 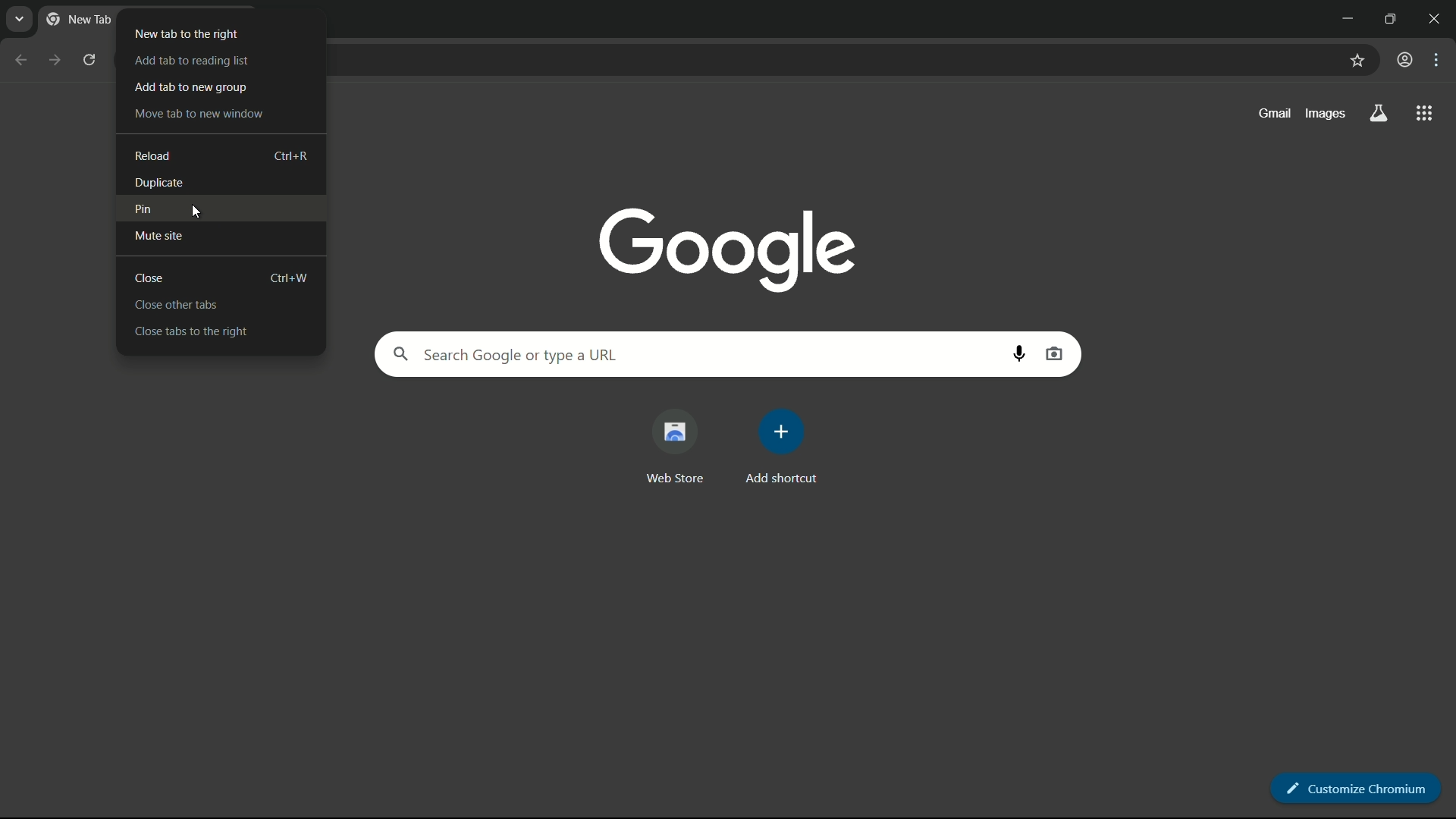 What do you see at coordinates (191, 89) in the screenshot?
I see `add tab to new group` at bounding box center [191, 89].